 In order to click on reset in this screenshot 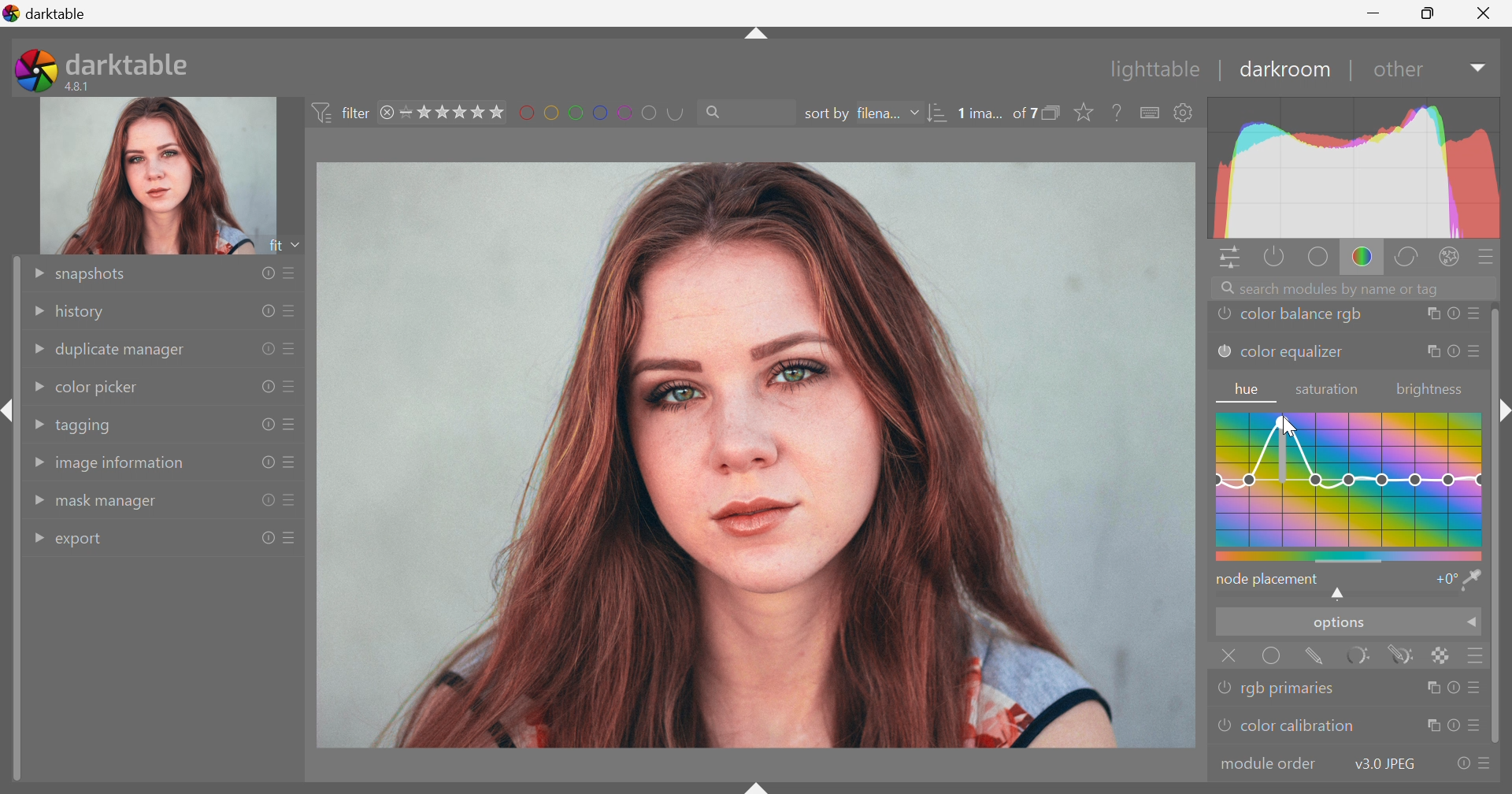, I will do `click(262, 501)`.